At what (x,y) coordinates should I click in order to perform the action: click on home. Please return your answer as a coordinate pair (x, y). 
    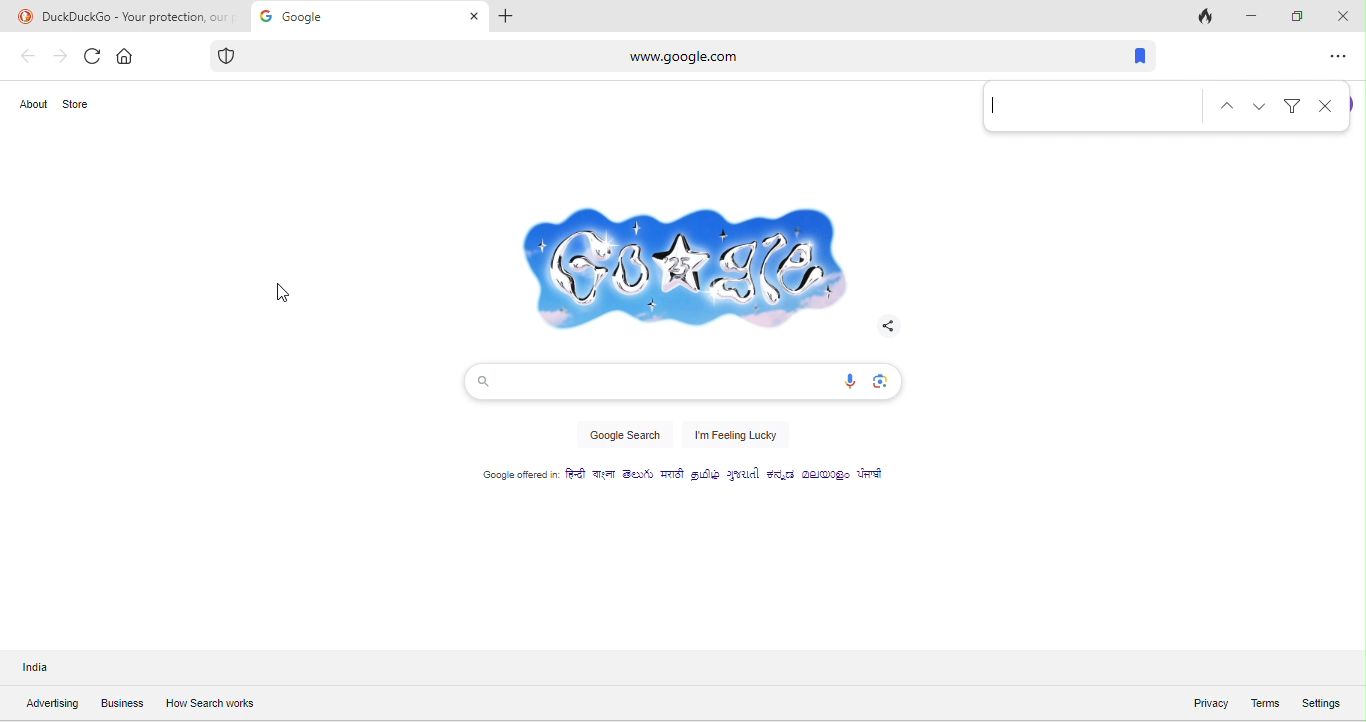
    Looking at the image, I should click on (127, 54).